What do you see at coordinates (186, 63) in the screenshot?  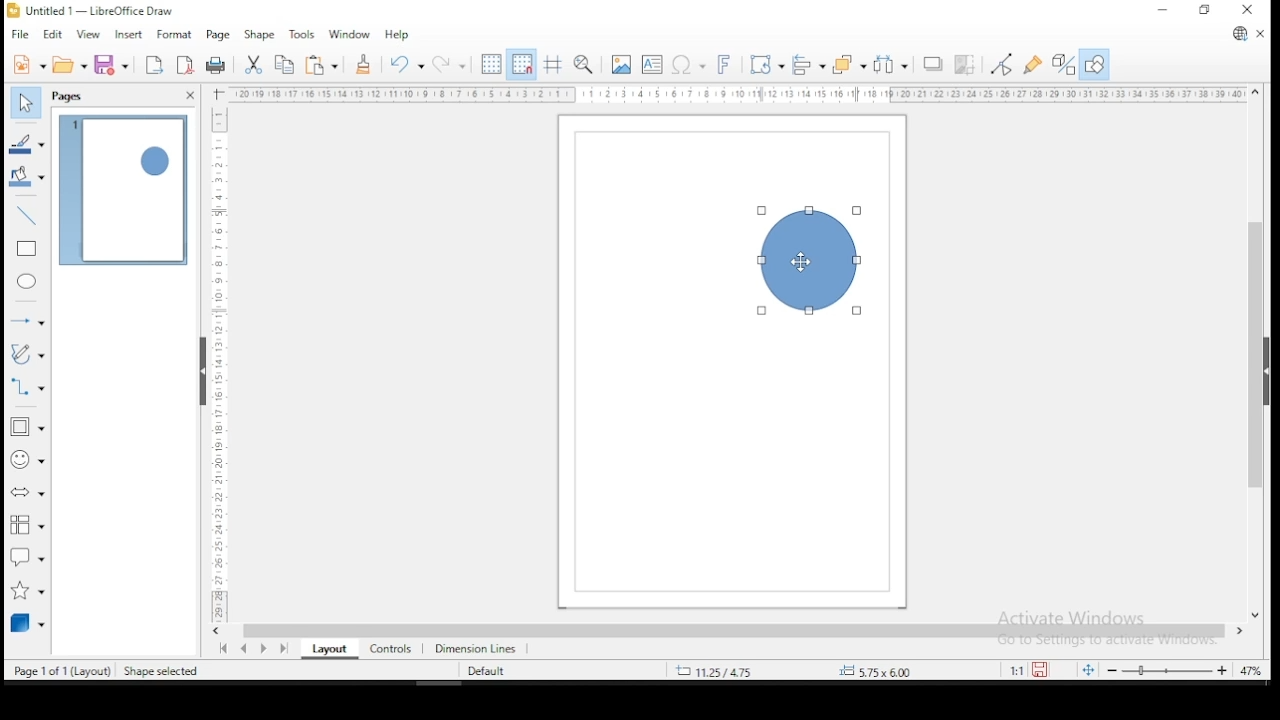 I see `export as PDF` at bounding box center [186, 63].